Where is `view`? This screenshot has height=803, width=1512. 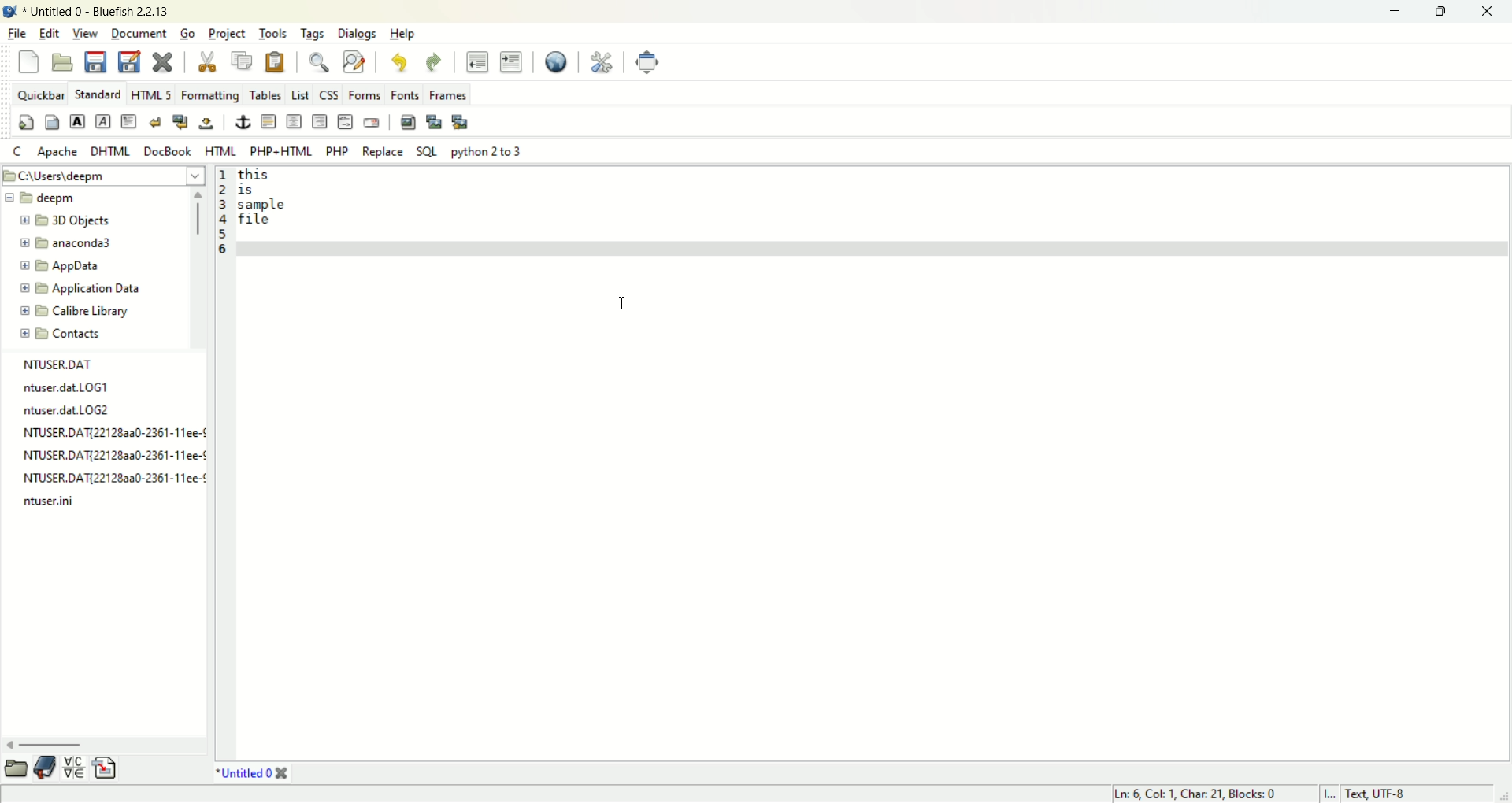
view is located at coordinates (85, 34).